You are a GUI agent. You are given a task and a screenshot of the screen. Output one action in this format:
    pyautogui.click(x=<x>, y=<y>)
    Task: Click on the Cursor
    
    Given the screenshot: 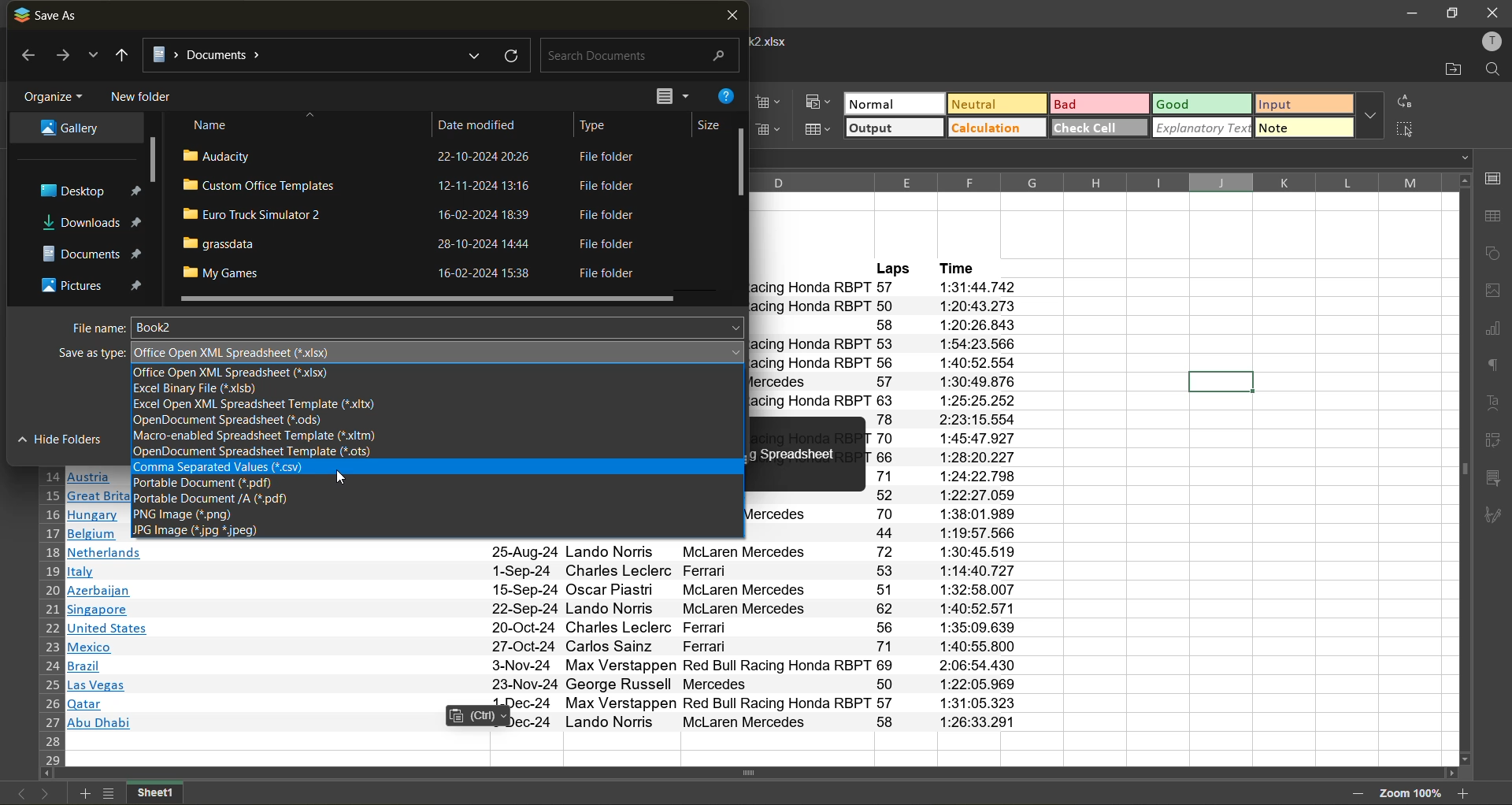 What is the action you would take?
    pyautogui.click(x=343, y=480)
    